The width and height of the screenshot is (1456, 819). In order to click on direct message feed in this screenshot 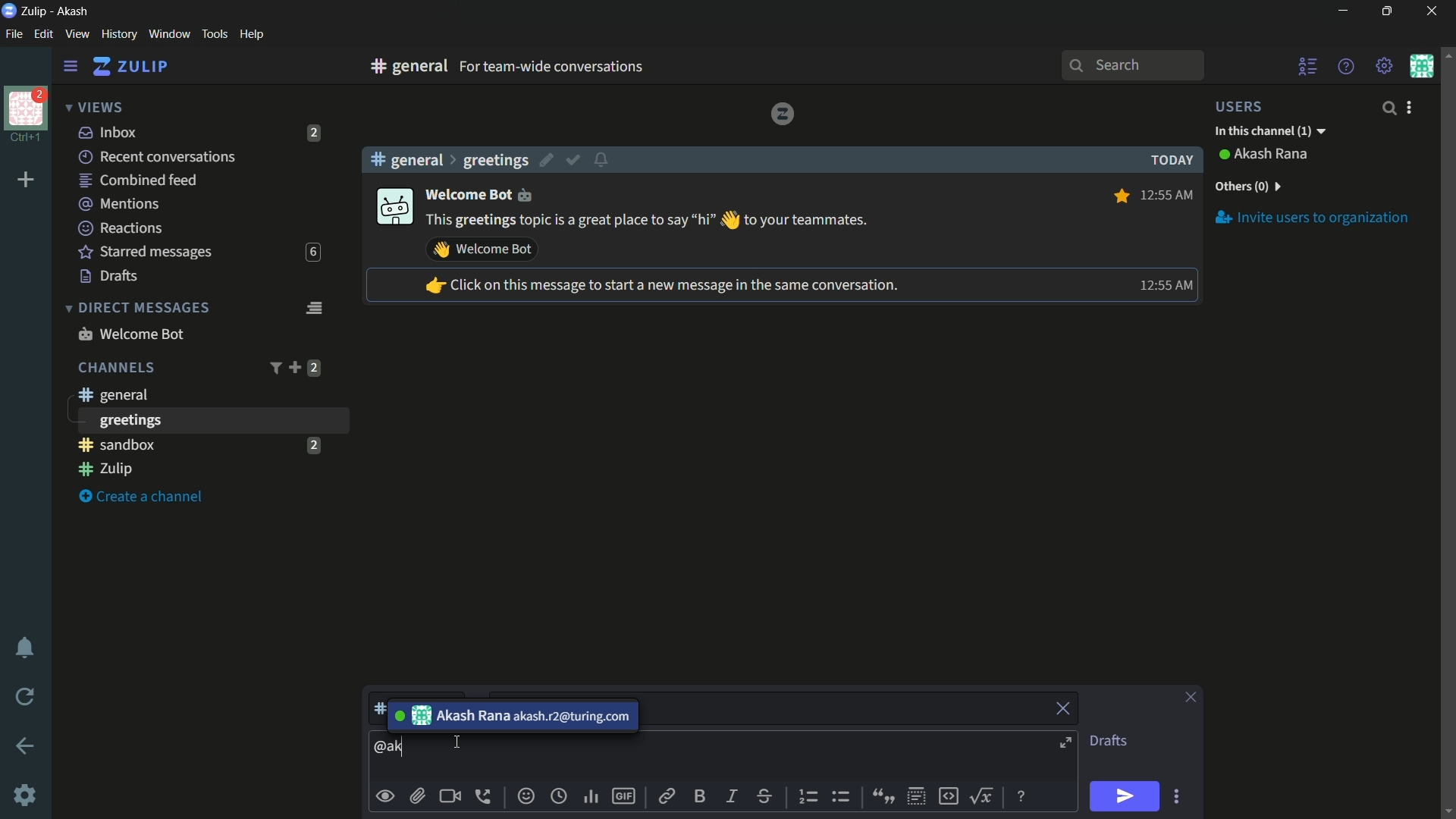, I will do `click(313, 306)`.